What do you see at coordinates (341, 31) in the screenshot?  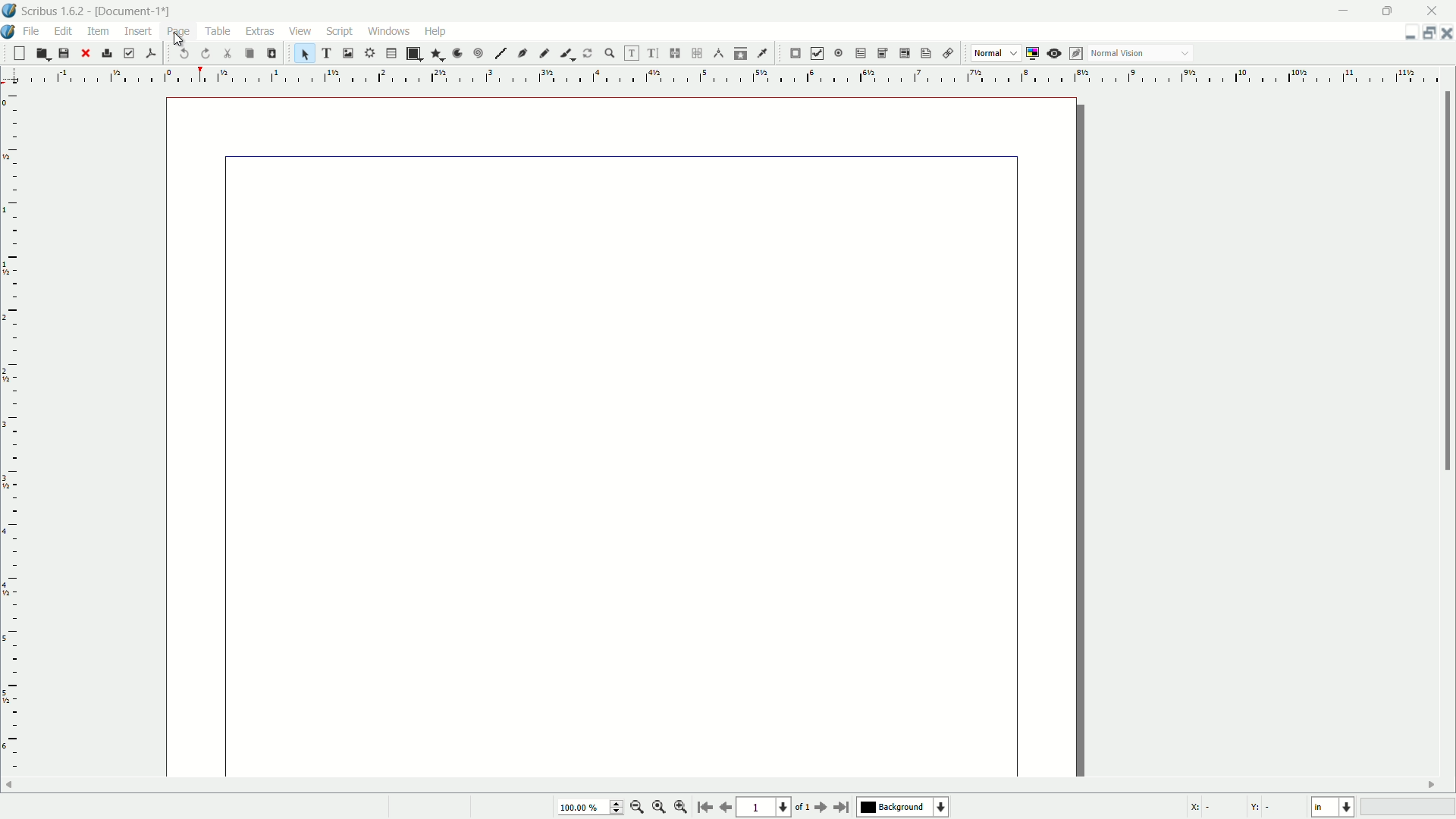 I see `script menu` at bounding box center [341, 31].